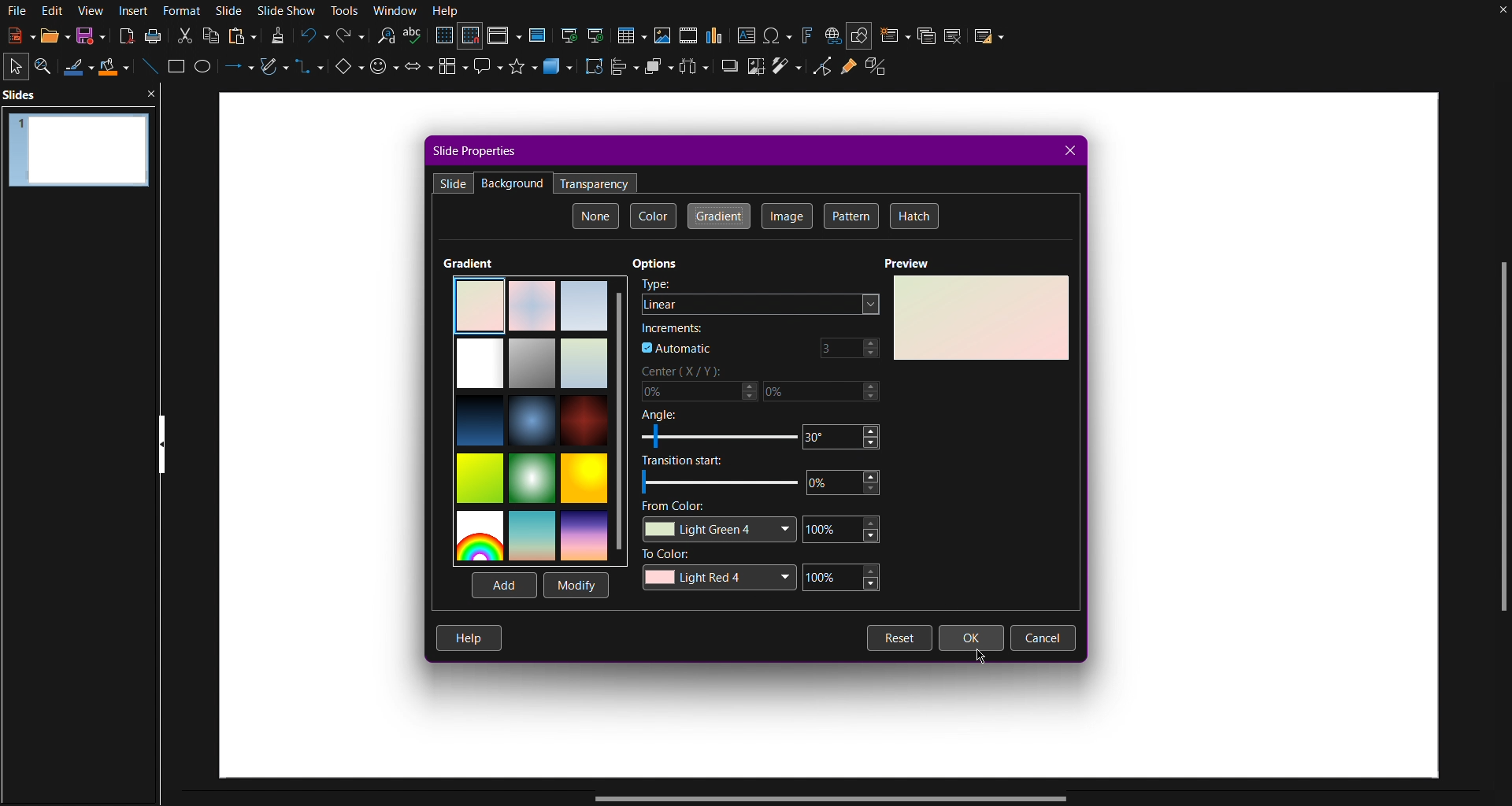 Image resolution: width=1512 pixels, height=806 pixels. Describe the element at coordinates (658, 285) in the screenshot. I see `Type` at that location.